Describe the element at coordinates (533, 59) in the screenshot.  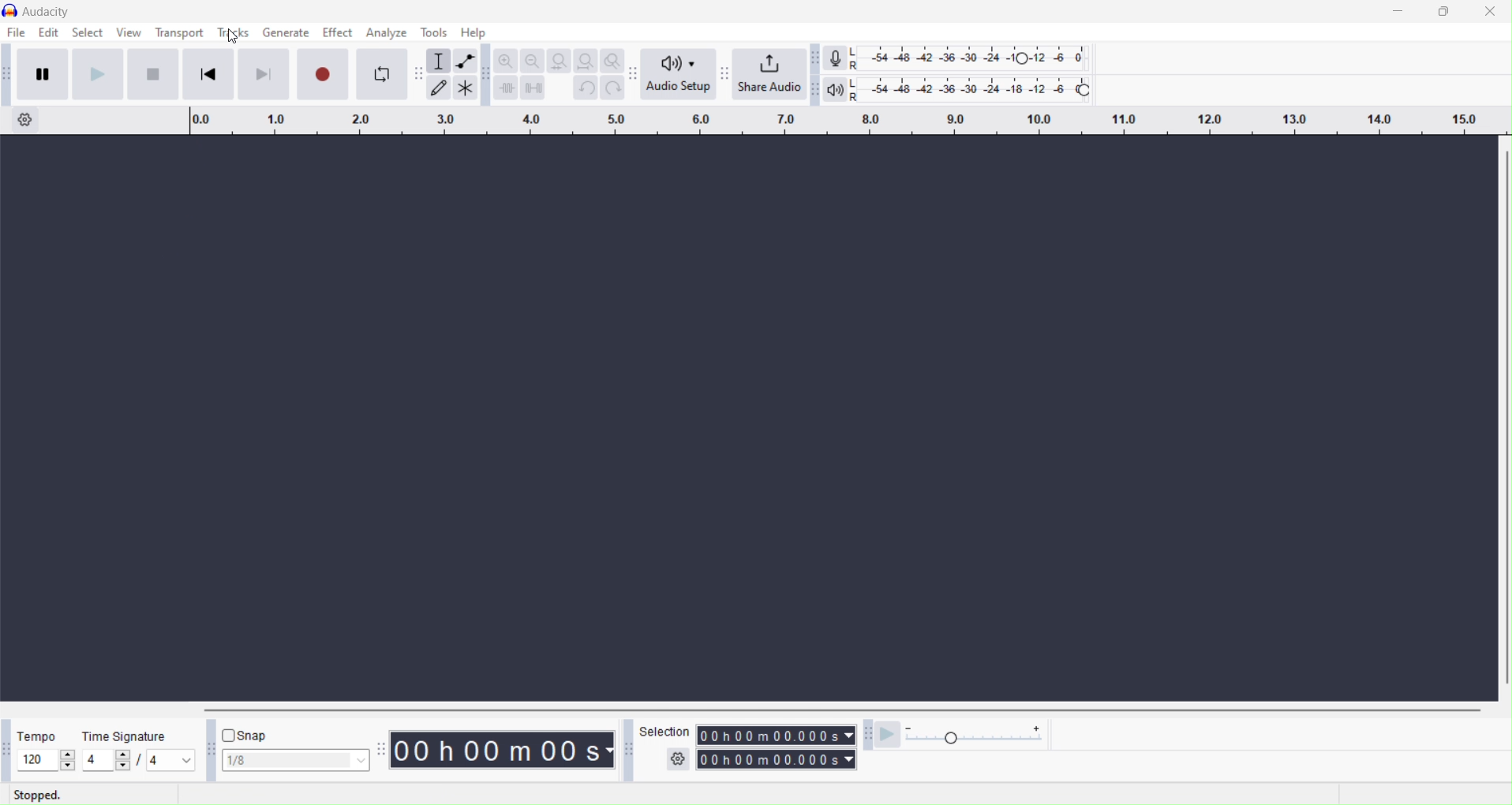
I see `Zoom out` at that location.